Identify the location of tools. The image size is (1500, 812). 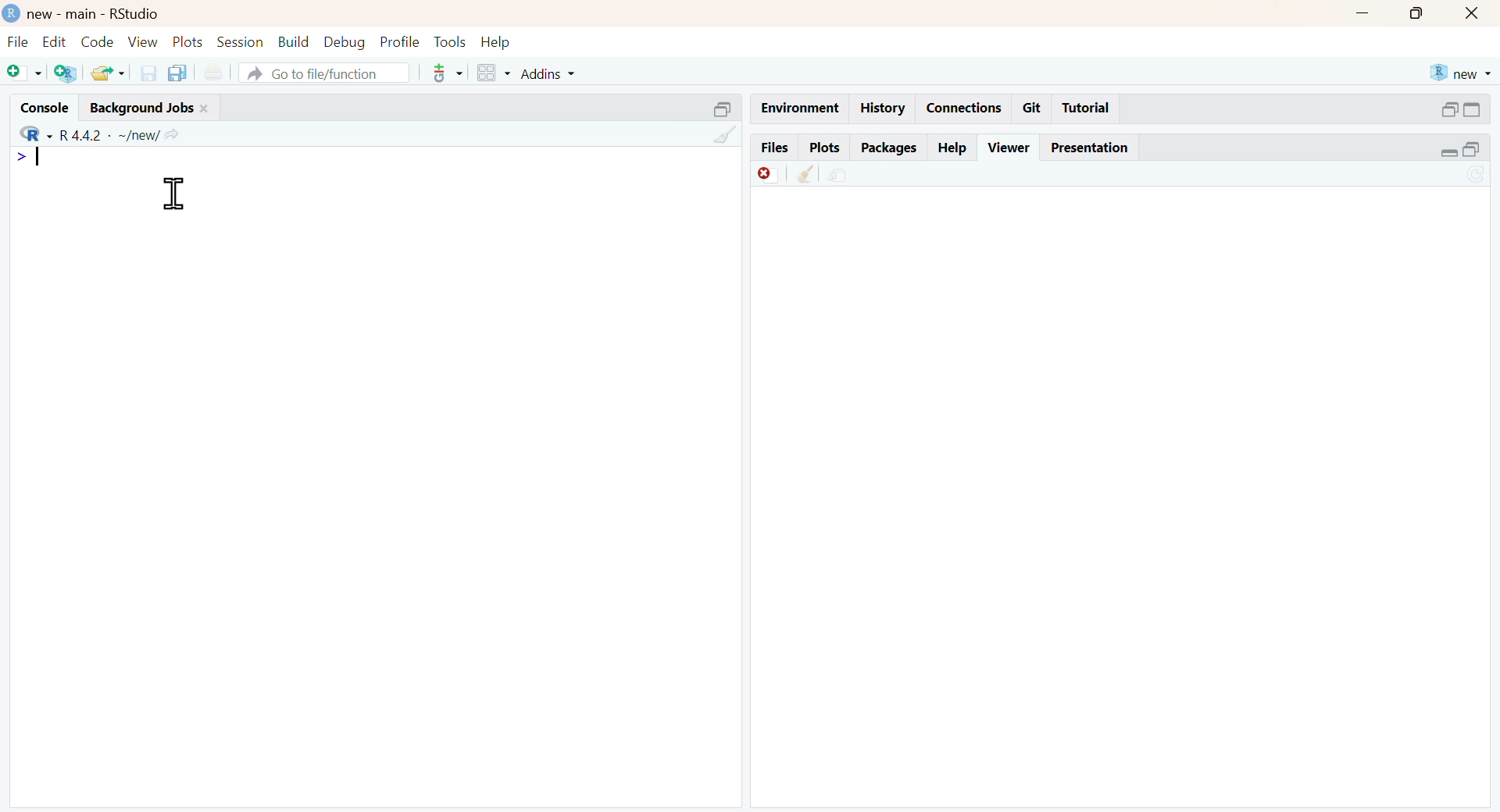
(449, 73).